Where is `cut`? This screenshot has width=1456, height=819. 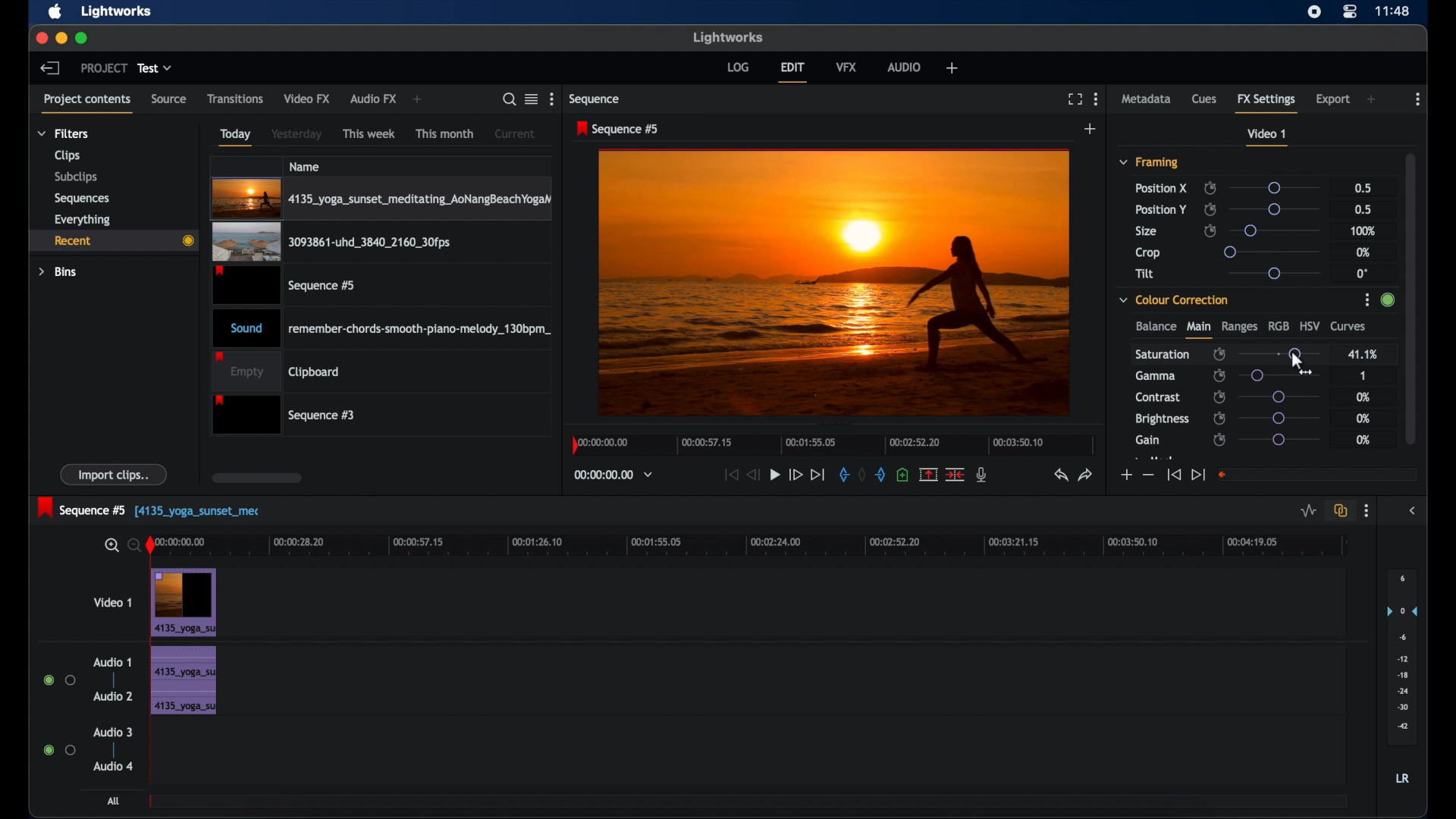 cut is located at coordinates (955, 474).